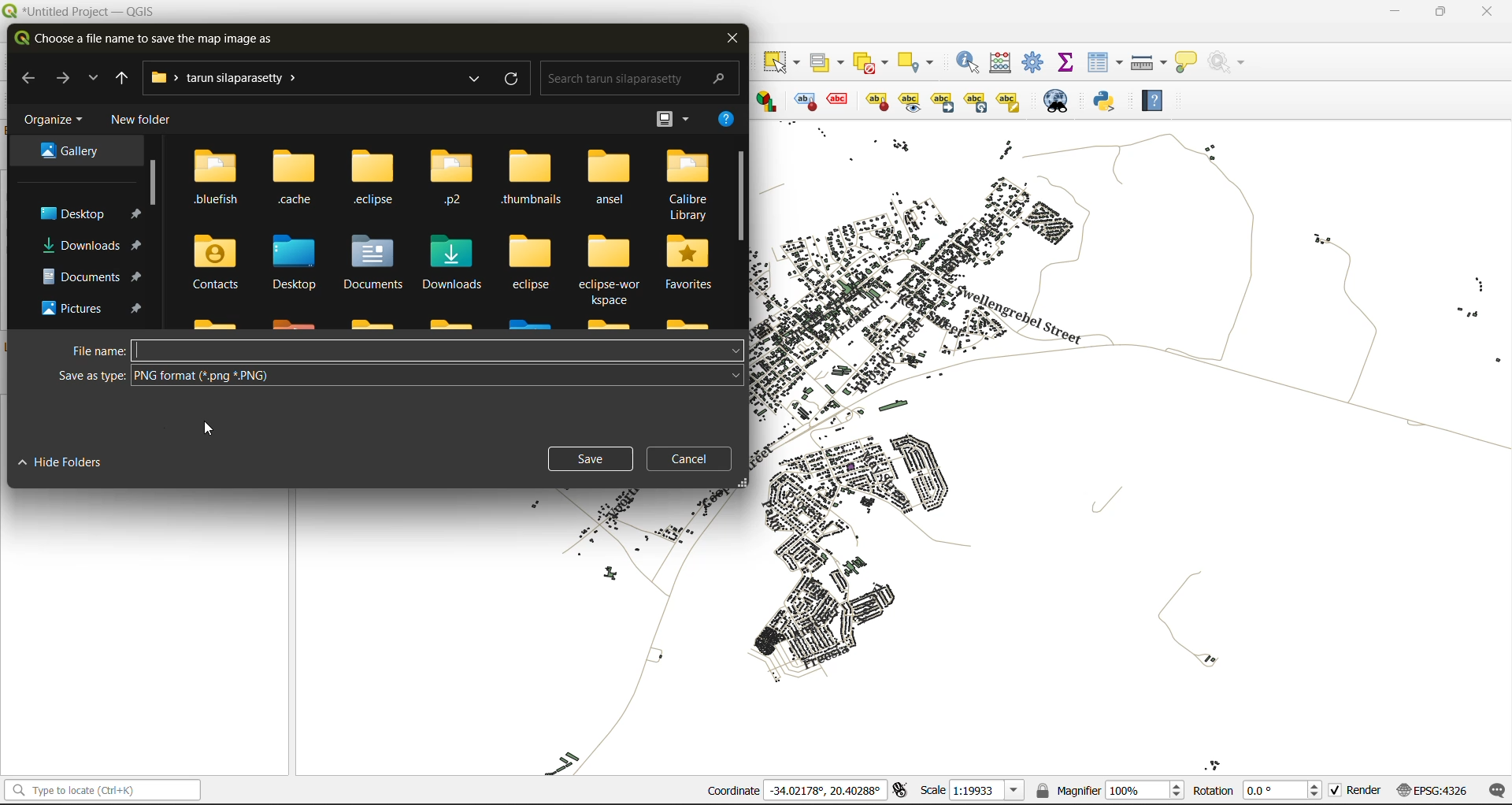 Image resolution: width=1512 pixels, height=805 pixels. What do you see at coordinates (453, 236) in the screenshot?
I see `folders` at bounding box center [453, 236].